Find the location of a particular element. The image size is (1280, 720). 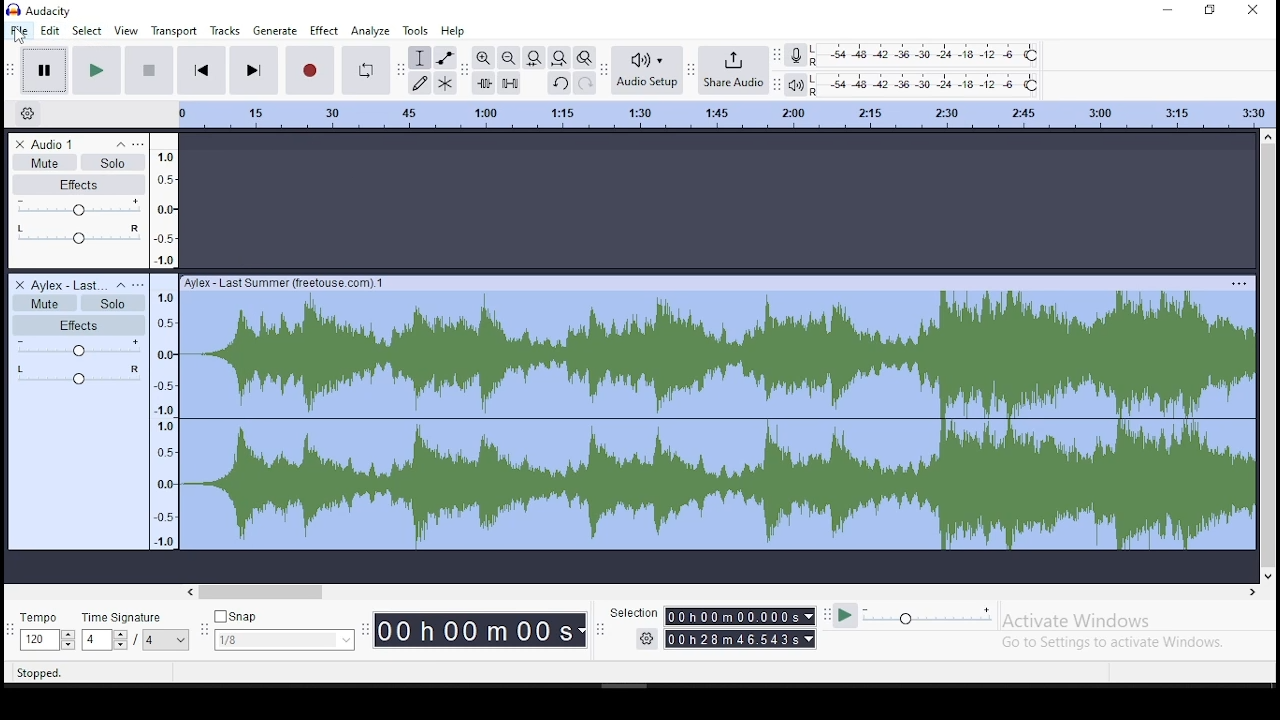

close window is located at coordinates (1257, 10).